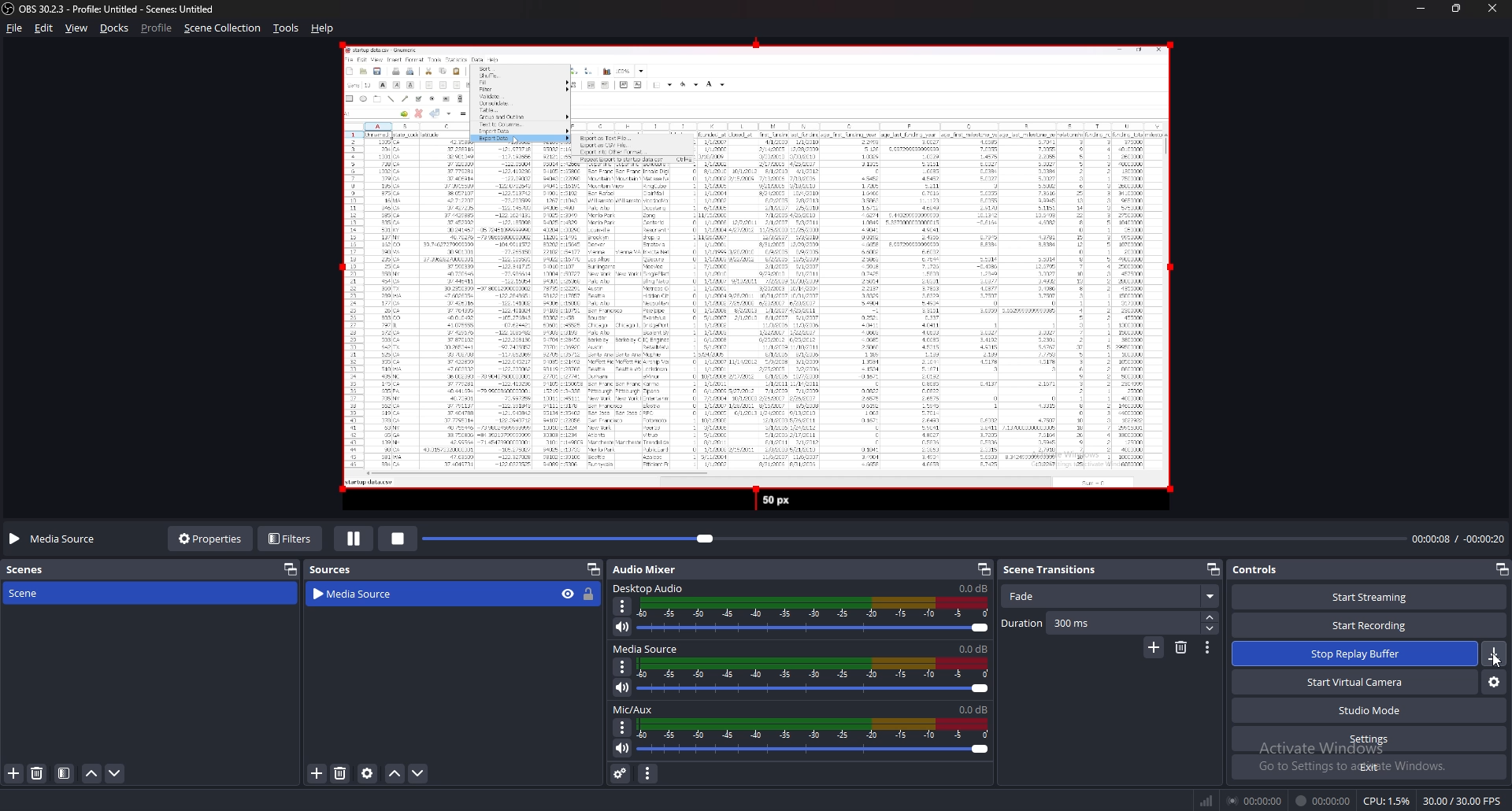 This screenshot has height=811, width=1512. Describe the element at coordinates (1212, 629) in the screenshot. I see `decrease duration` at that location.